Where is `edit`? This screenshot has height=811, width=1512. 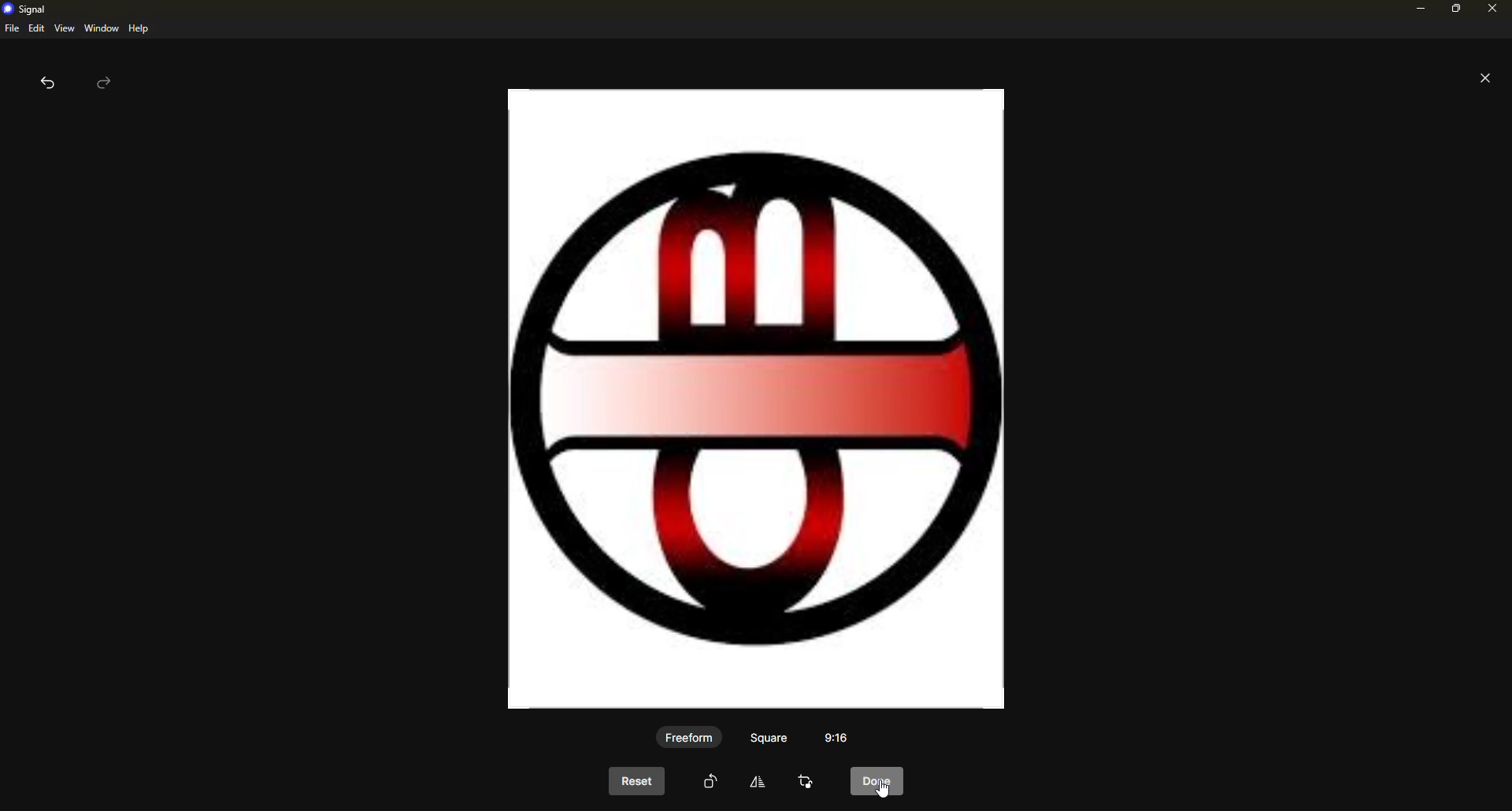 edit is located at coordinates (36, 28).